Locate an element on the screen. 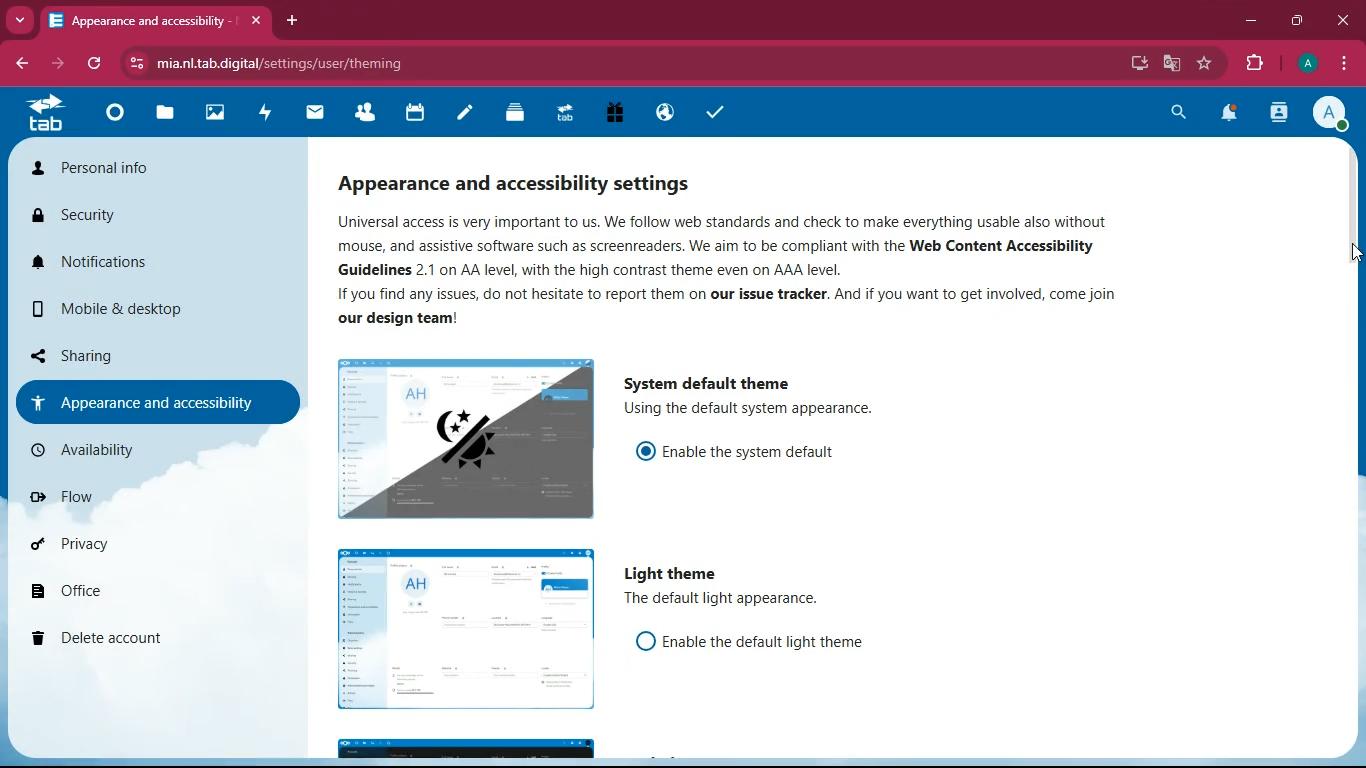  back is located at coordinates (20, 64).